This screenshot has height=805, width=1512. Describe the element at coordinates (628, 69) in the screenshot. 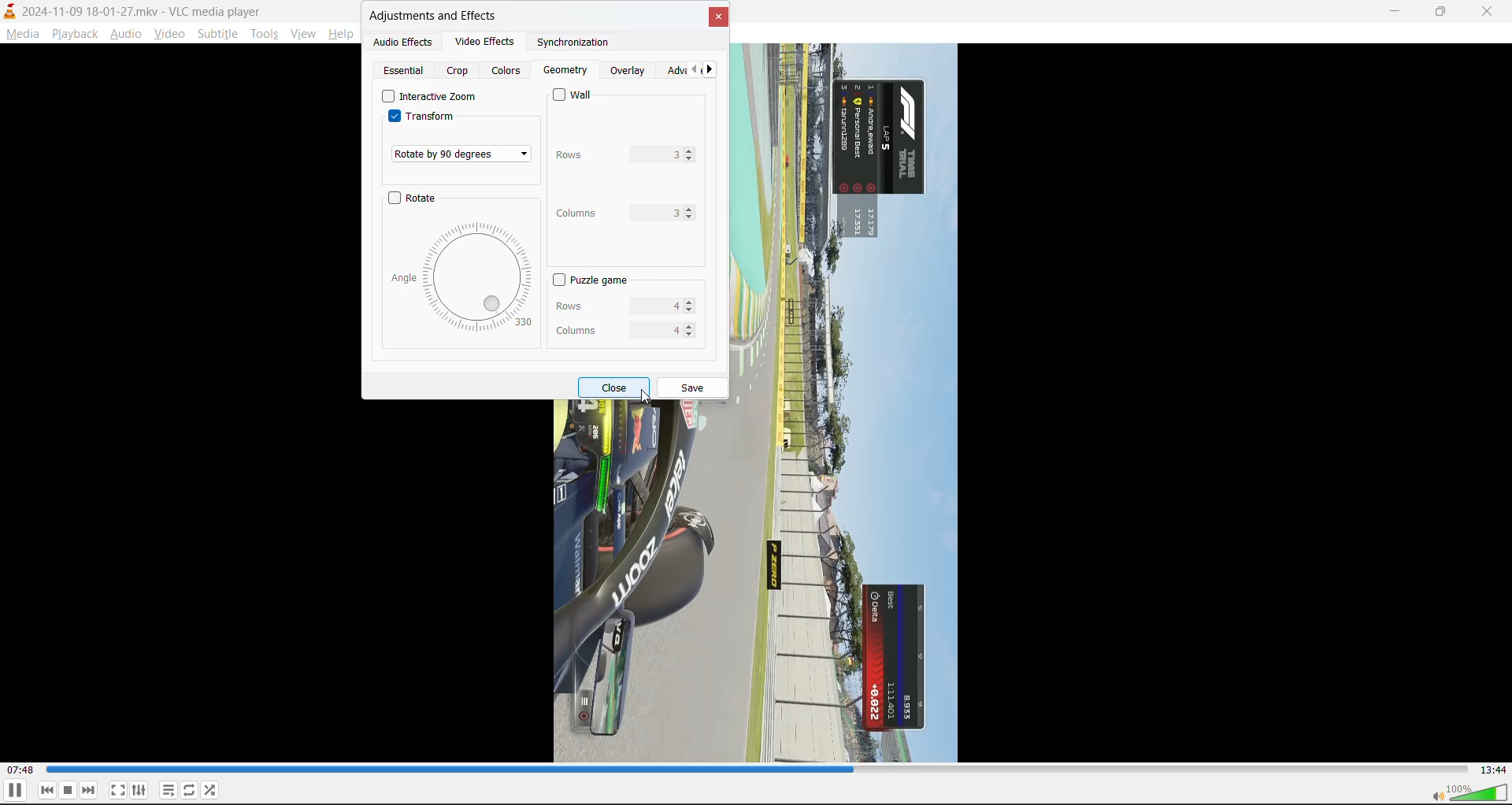

I see `overlay` at that location.